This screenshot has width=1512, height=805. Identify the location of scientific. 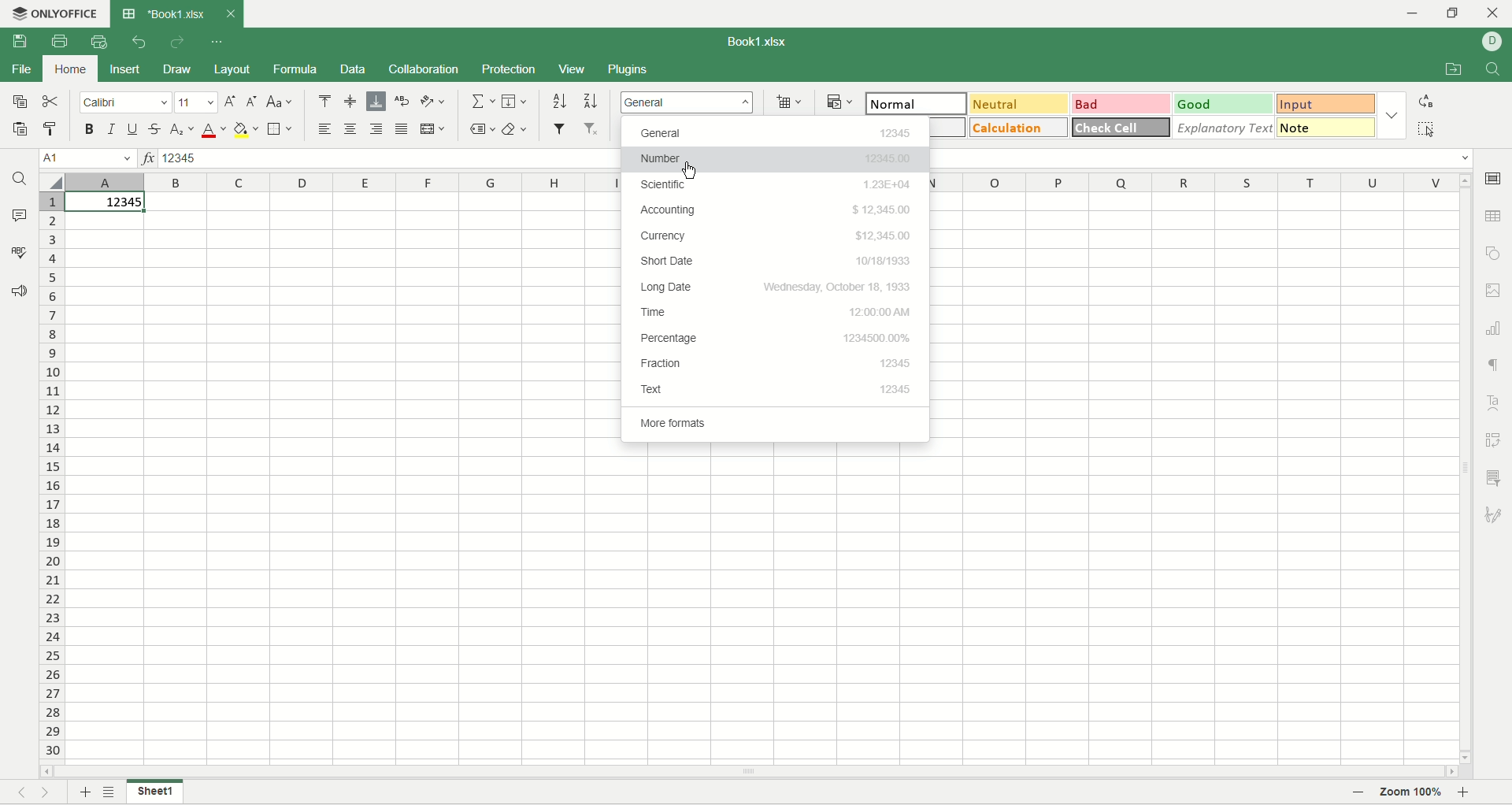
(776, 186).